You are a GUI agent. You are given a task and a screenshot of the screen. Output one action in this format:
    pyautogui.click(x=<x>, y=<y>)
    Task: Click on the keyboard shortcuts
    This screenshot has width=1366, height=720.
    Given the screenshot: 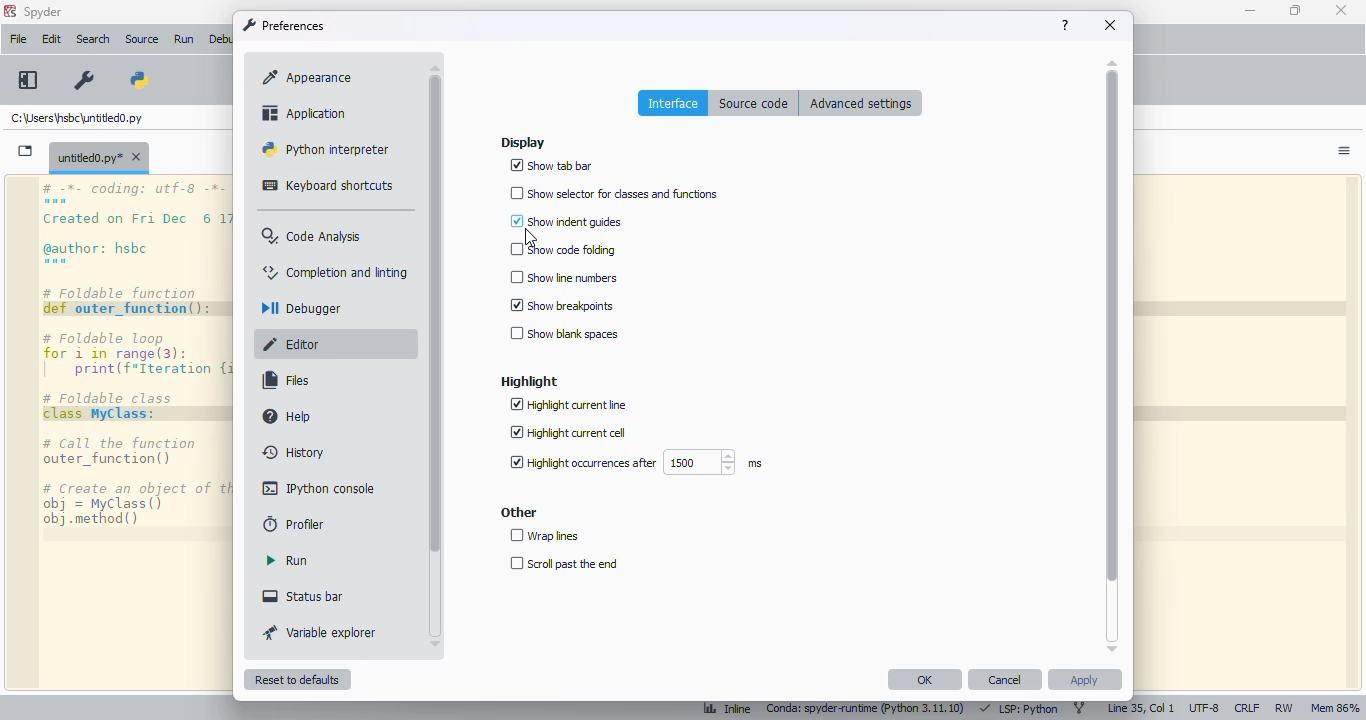 What is the action you would take?
    pyautogui.click(x=328, y=185)
    